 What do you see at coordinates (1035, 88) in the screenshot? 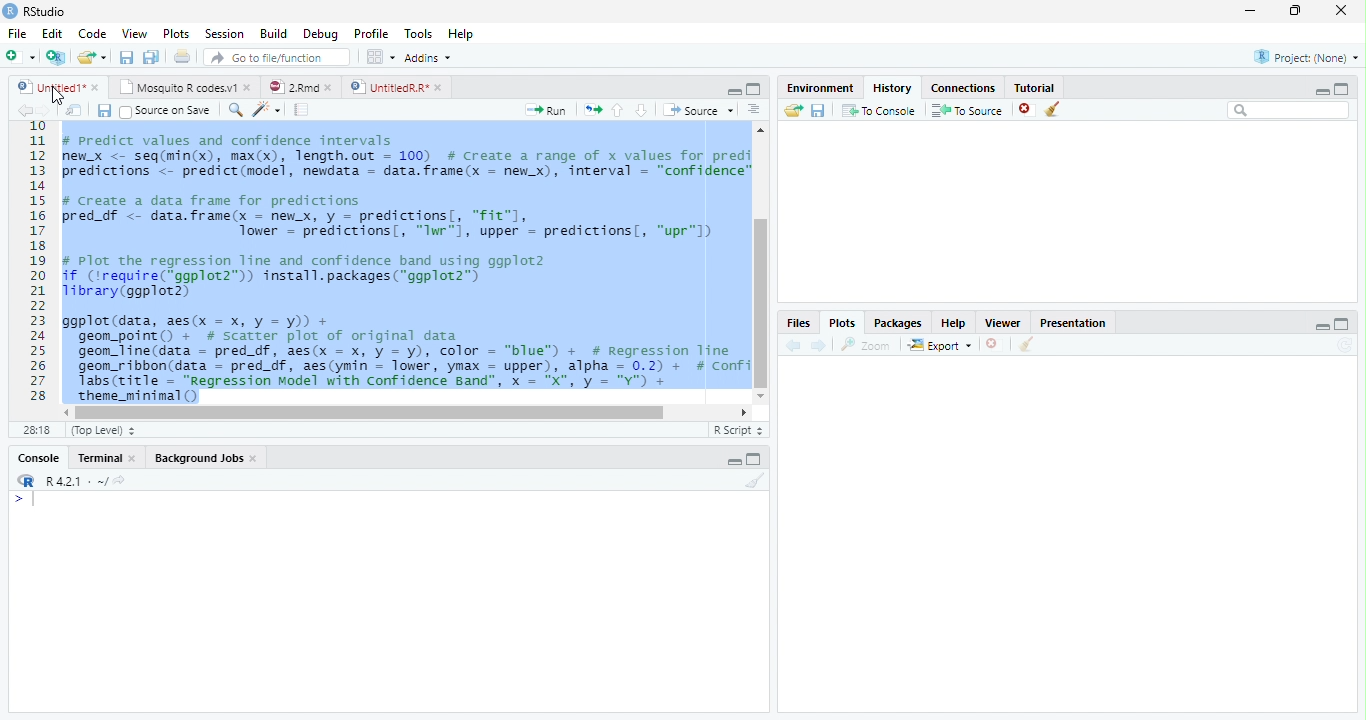
I see `Tutorial` at bounding box center [1035, 88].